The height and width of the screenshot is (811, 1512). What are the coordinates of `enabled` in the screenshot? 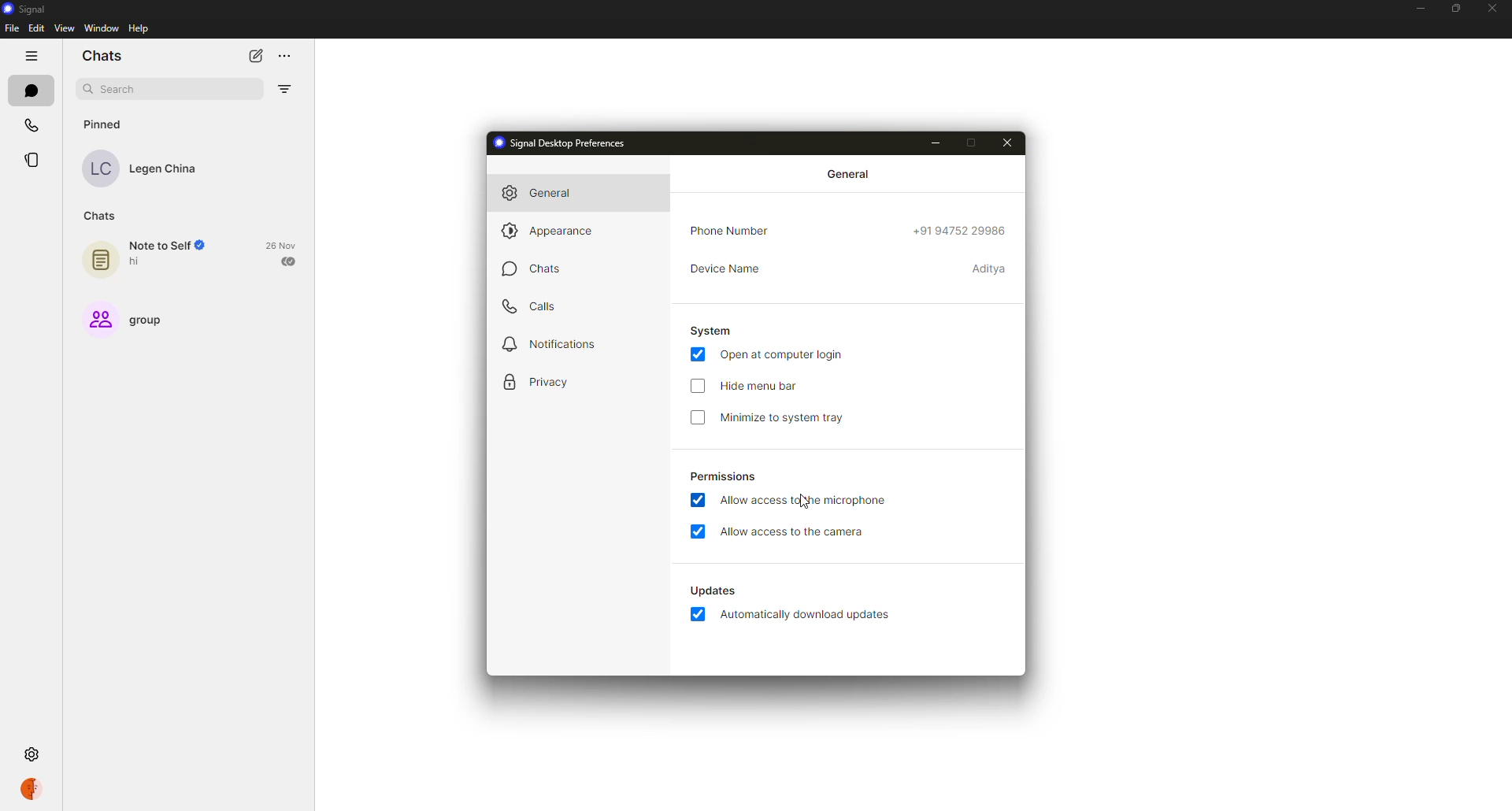 It's located at (700, 500).